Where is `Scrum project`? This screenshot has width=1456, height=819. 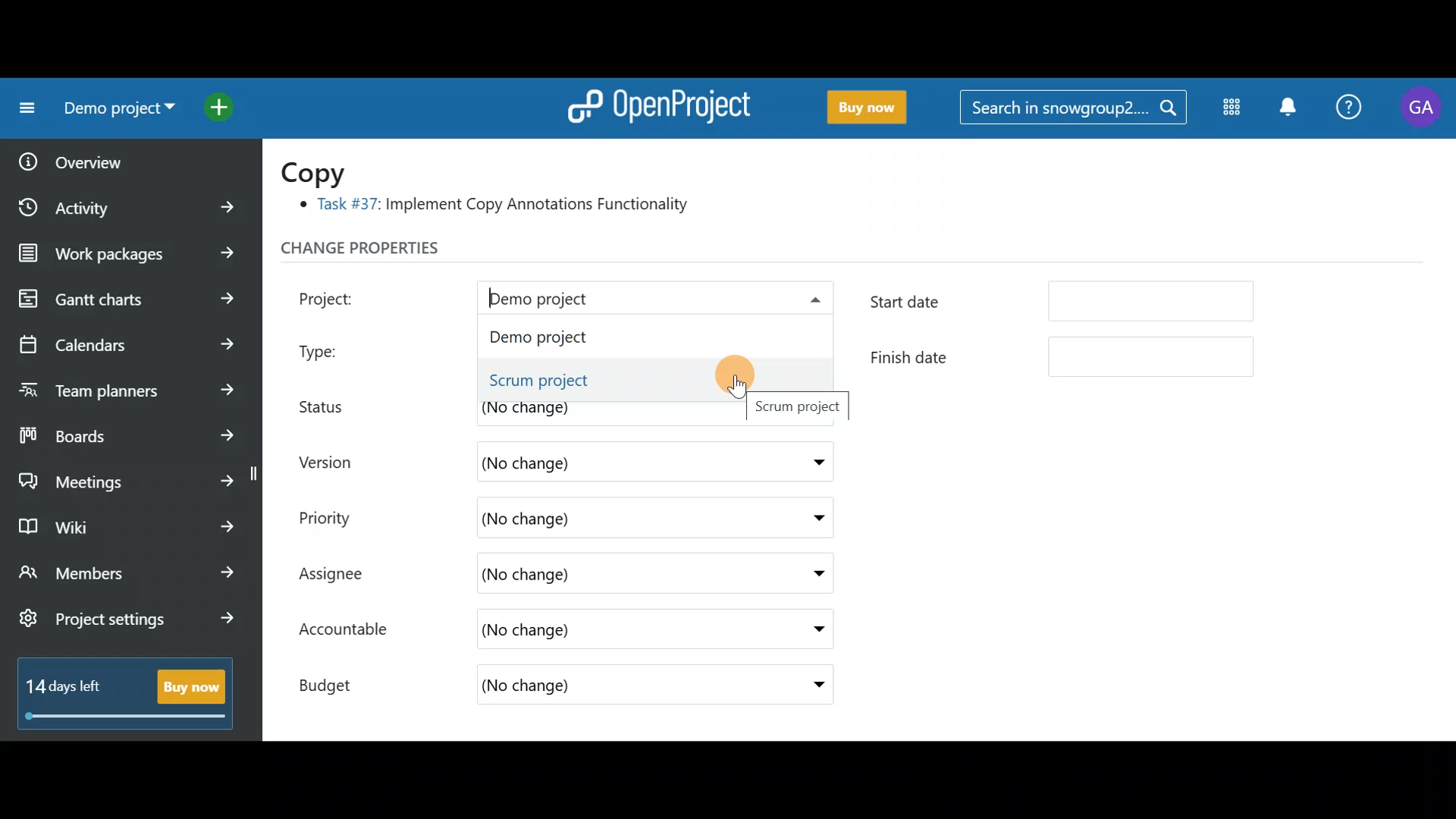
Scrum project is located at coordinates (802, 408).